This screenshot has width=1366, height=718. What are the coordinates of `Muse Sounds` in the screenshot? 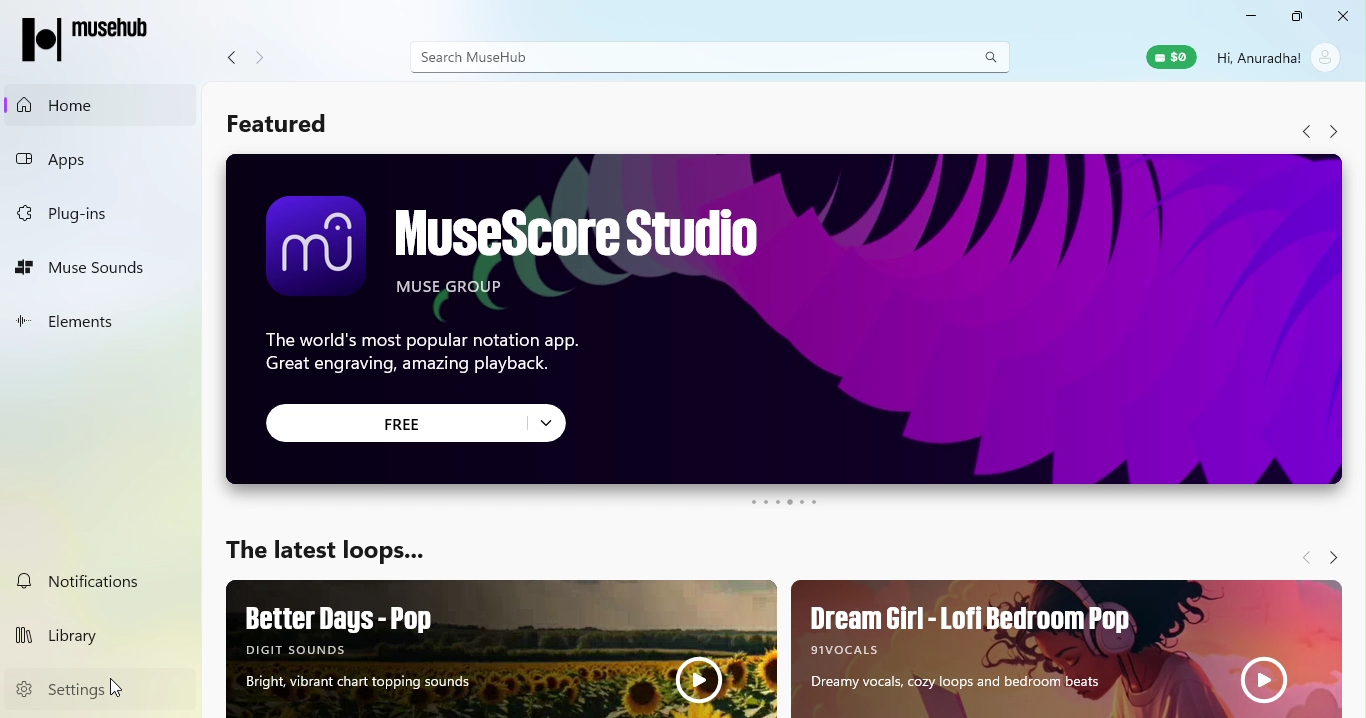 It's located at (88, 264).